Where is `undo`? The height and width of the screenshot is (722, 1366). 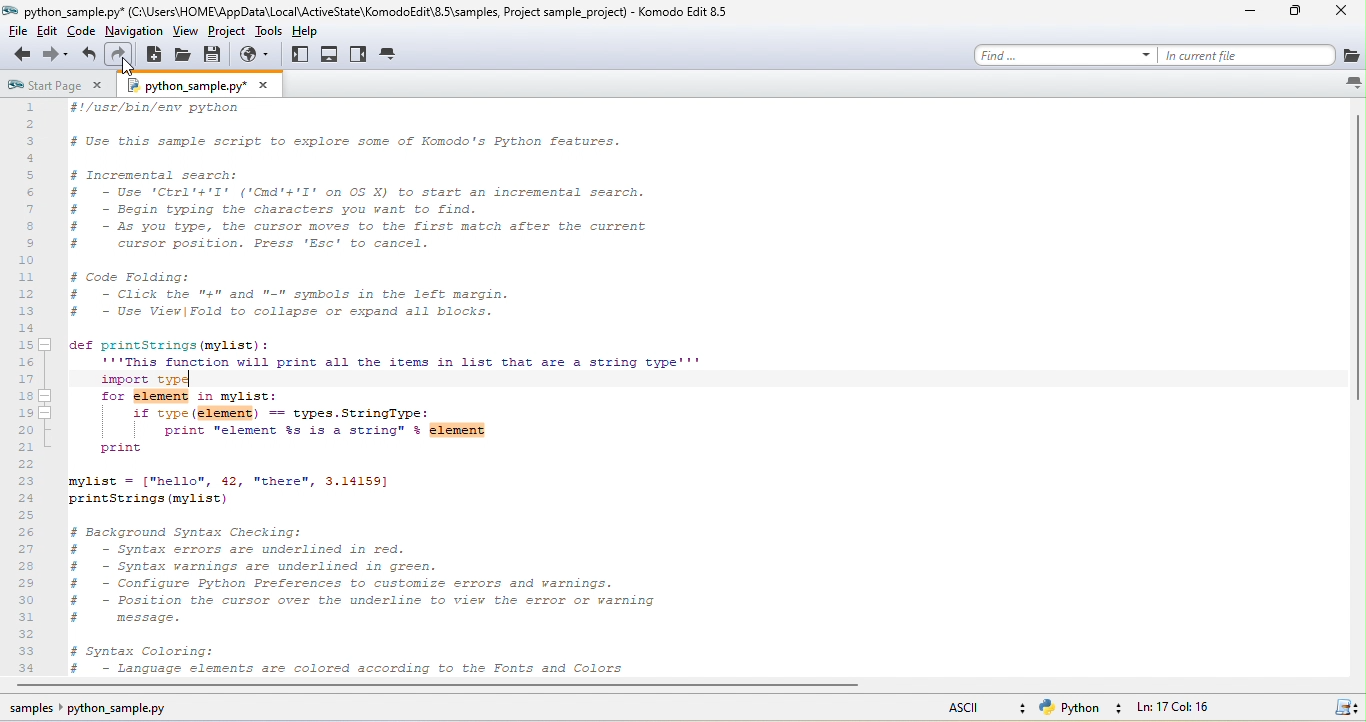
undo is located at coordinates (90, 55).